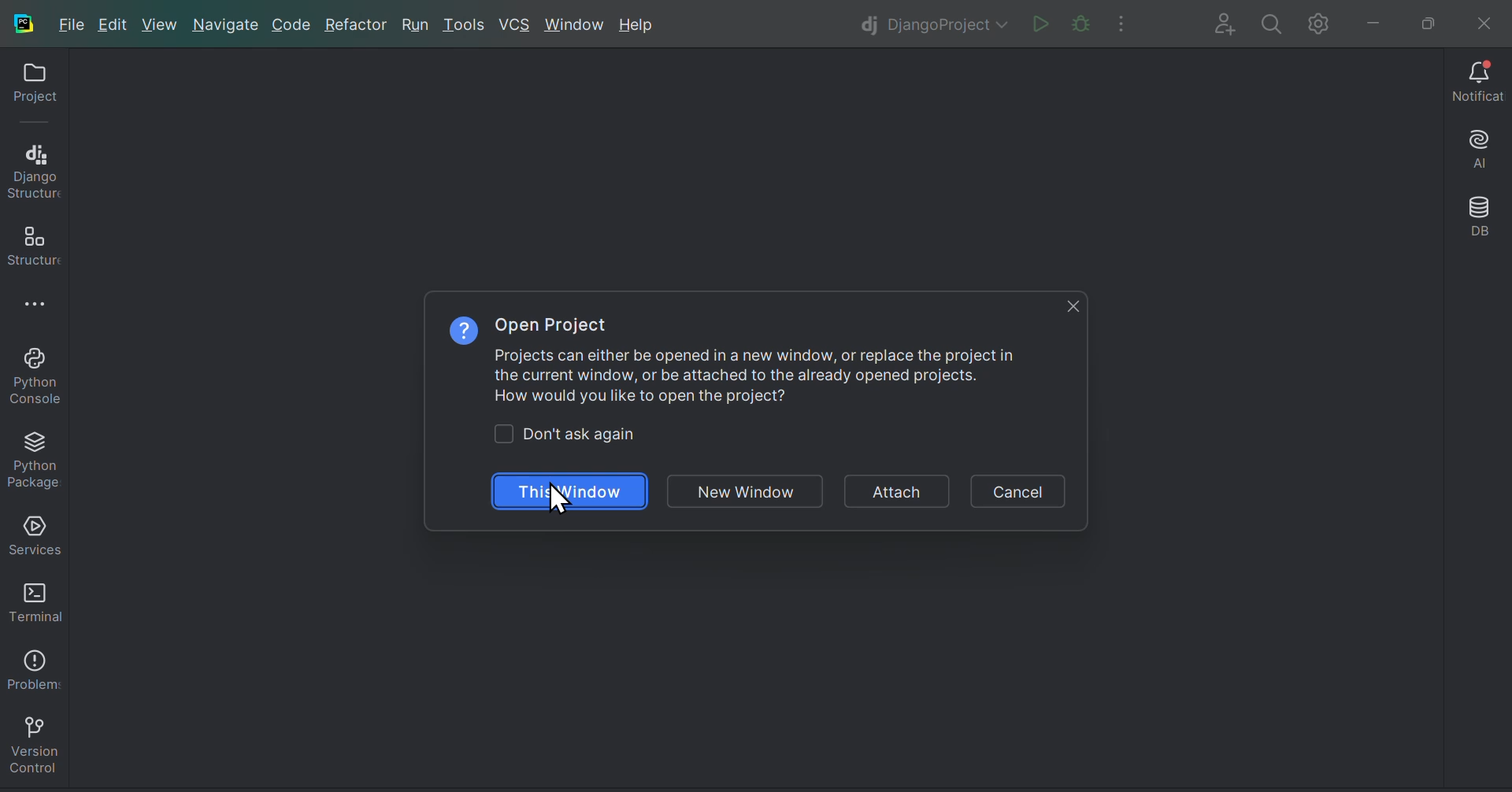  Describe the element at coordinates (579, 435) in the screenshot. I see `` at that location.